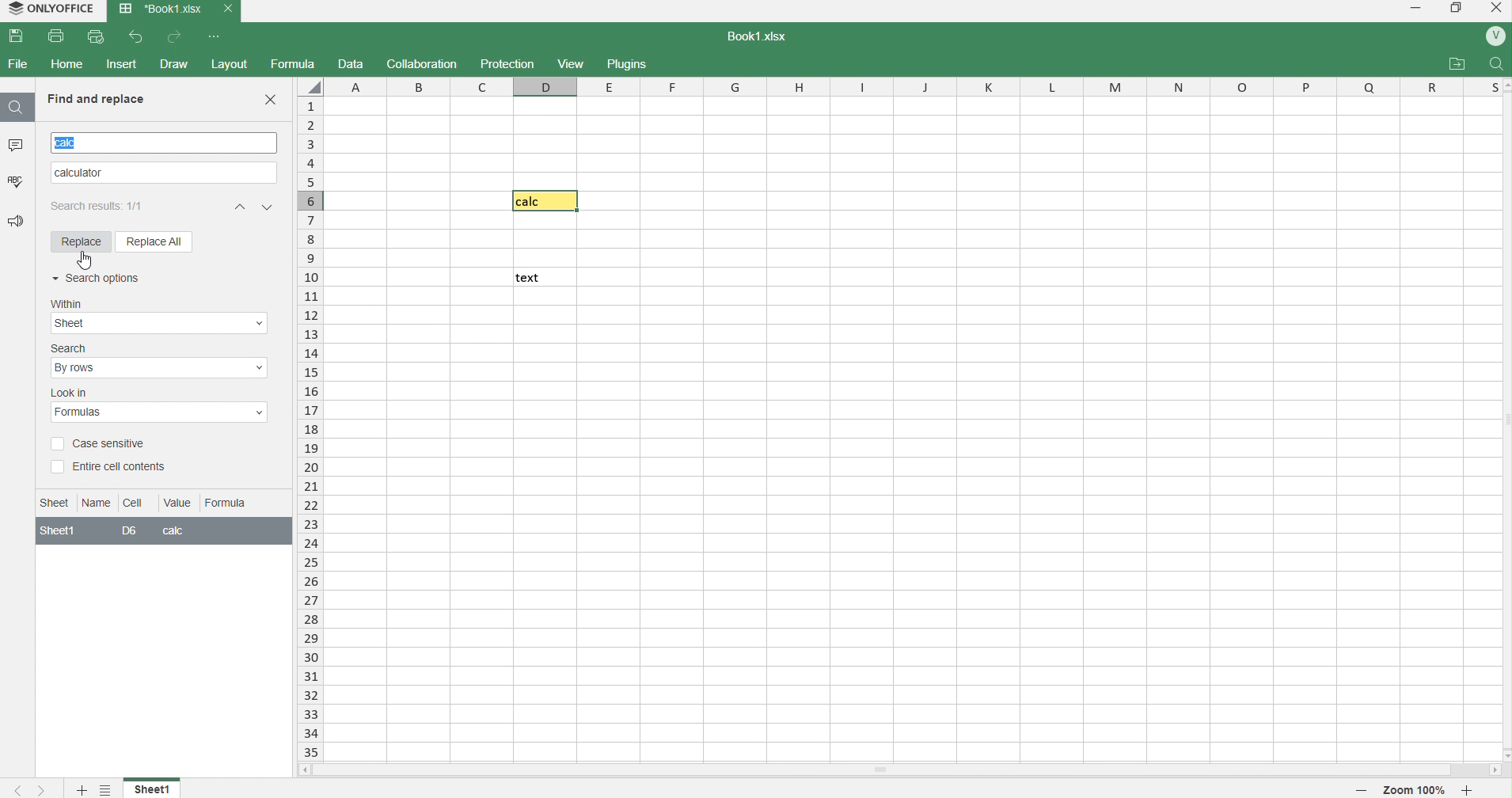 The height and width of the screenshot is (798, 1512). Describe the element at coordinates (124, 64) in the screenshot. I see `insert` at that location.